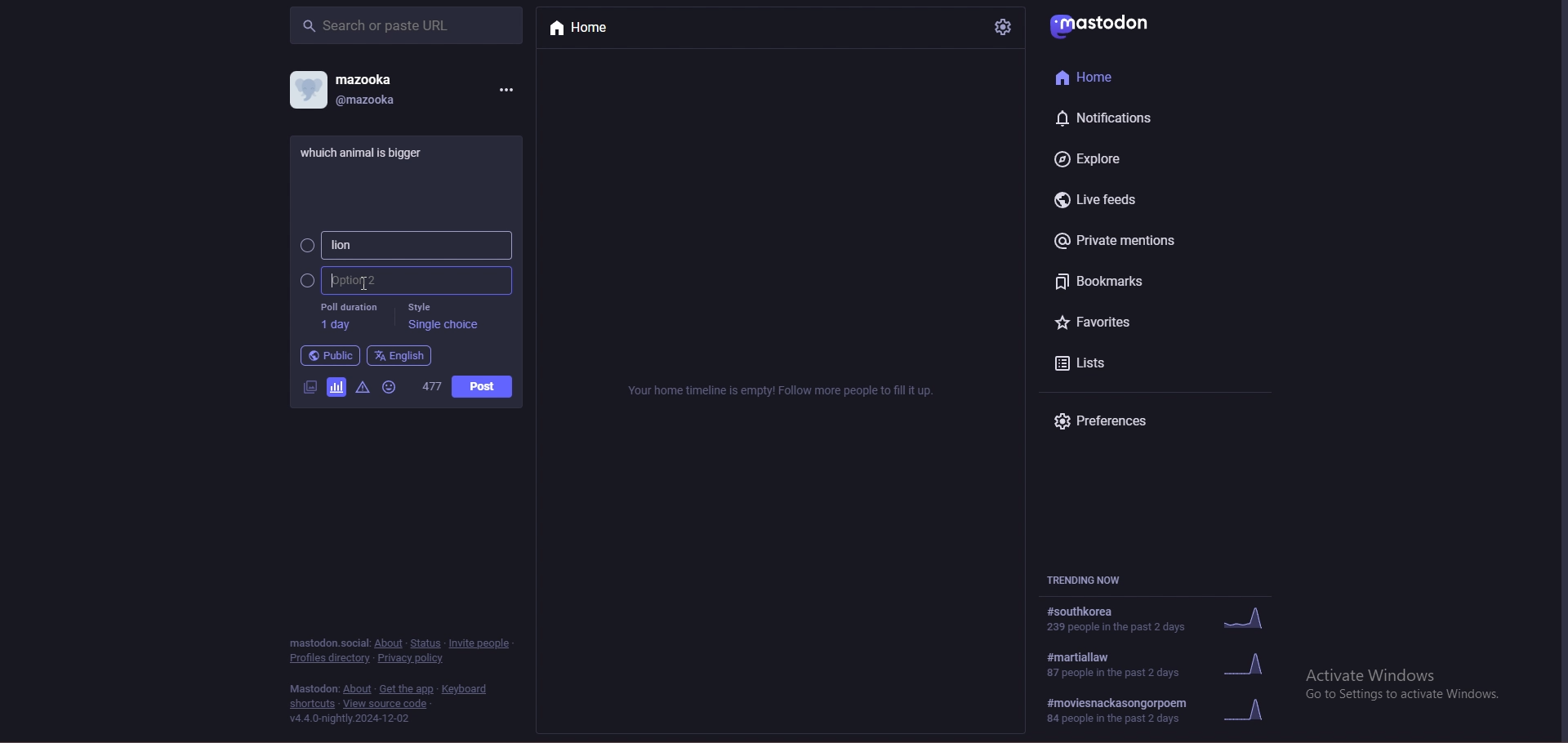 This screenshot has height=743, width=1568. I want to click on notifications, so click(1111, 118).